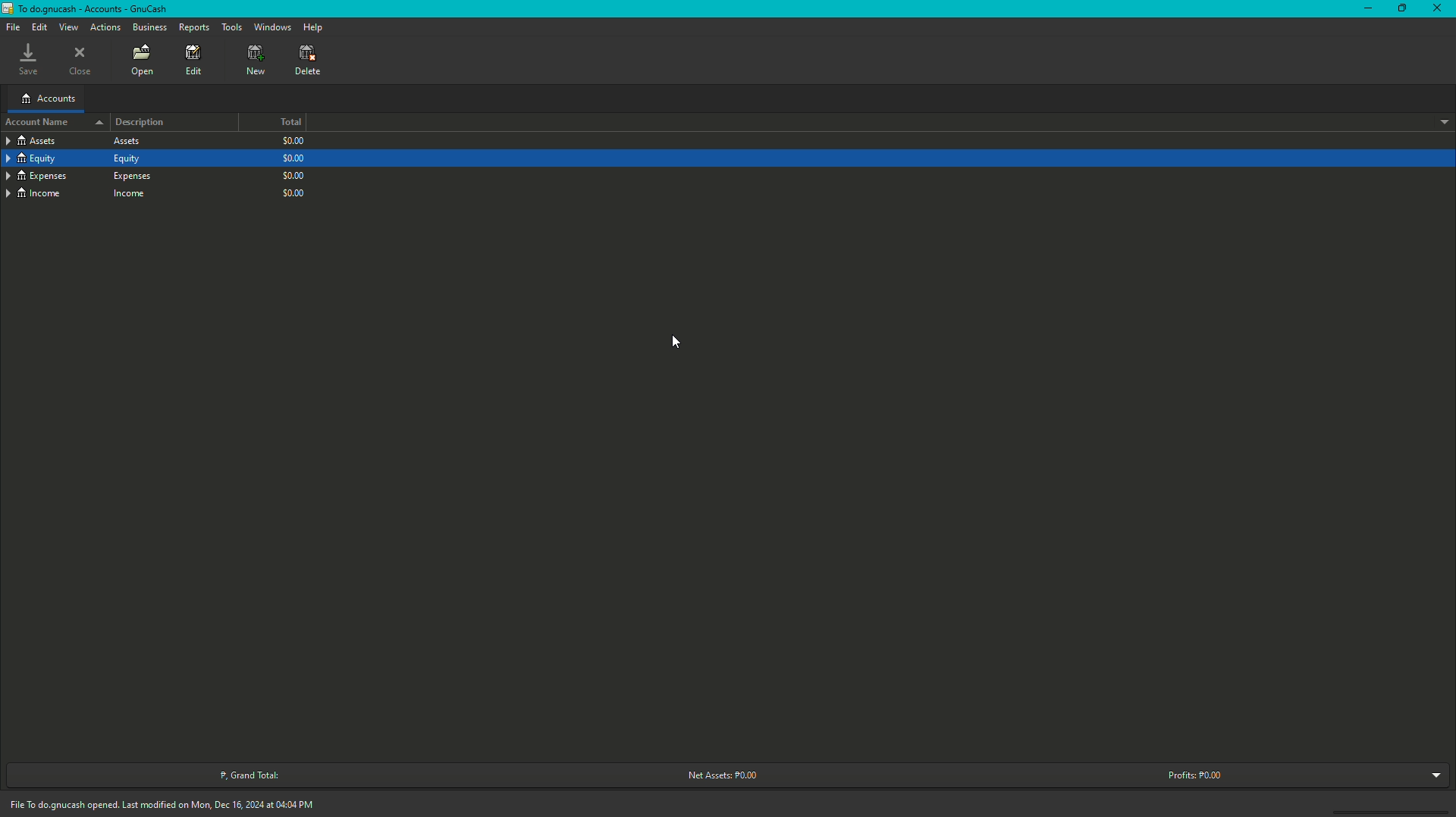 This screenshot has height=817, width=1456. I want to click on Grand Total, so click(246, 775).